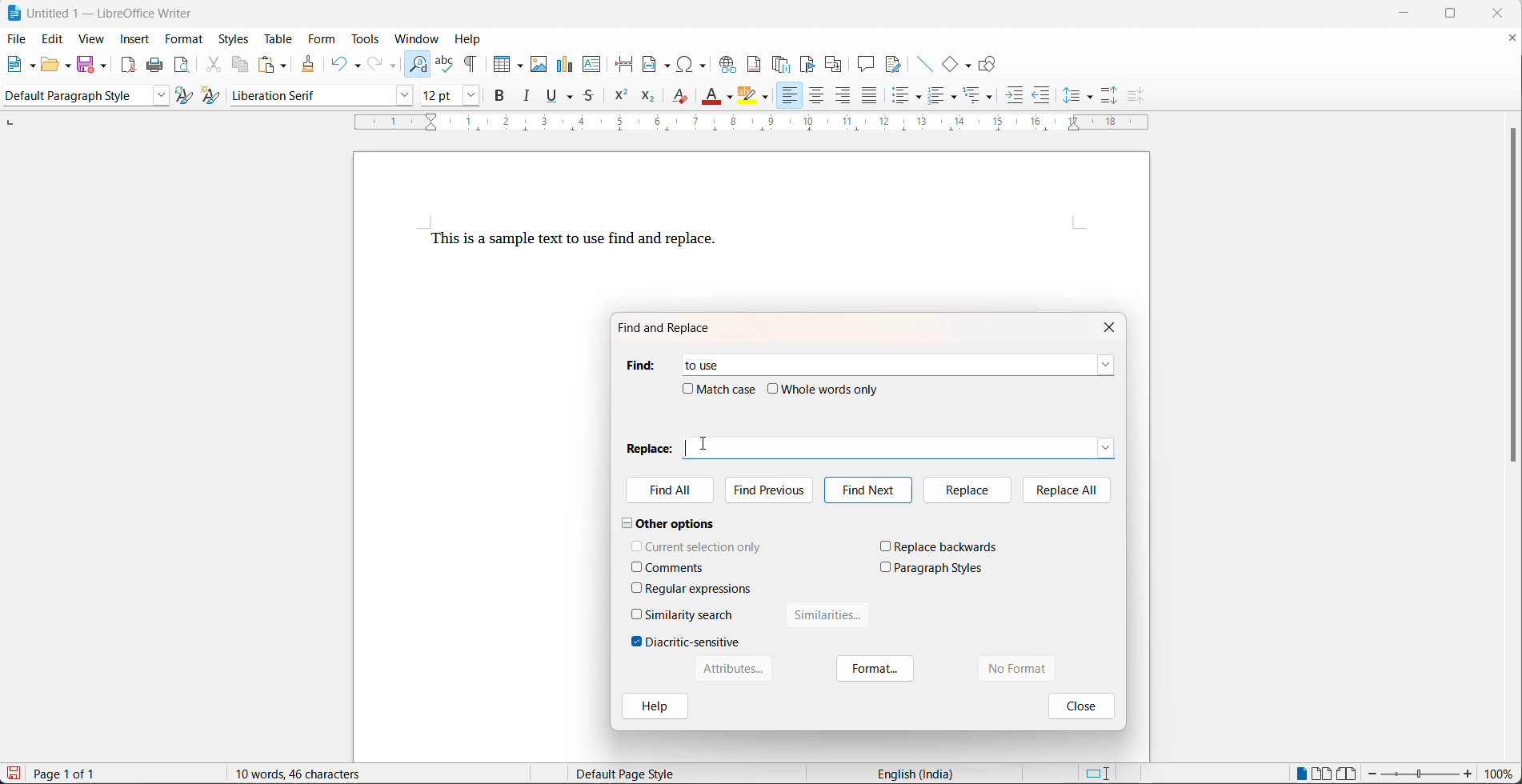  I want to click on checkbox, so click(638, 614).